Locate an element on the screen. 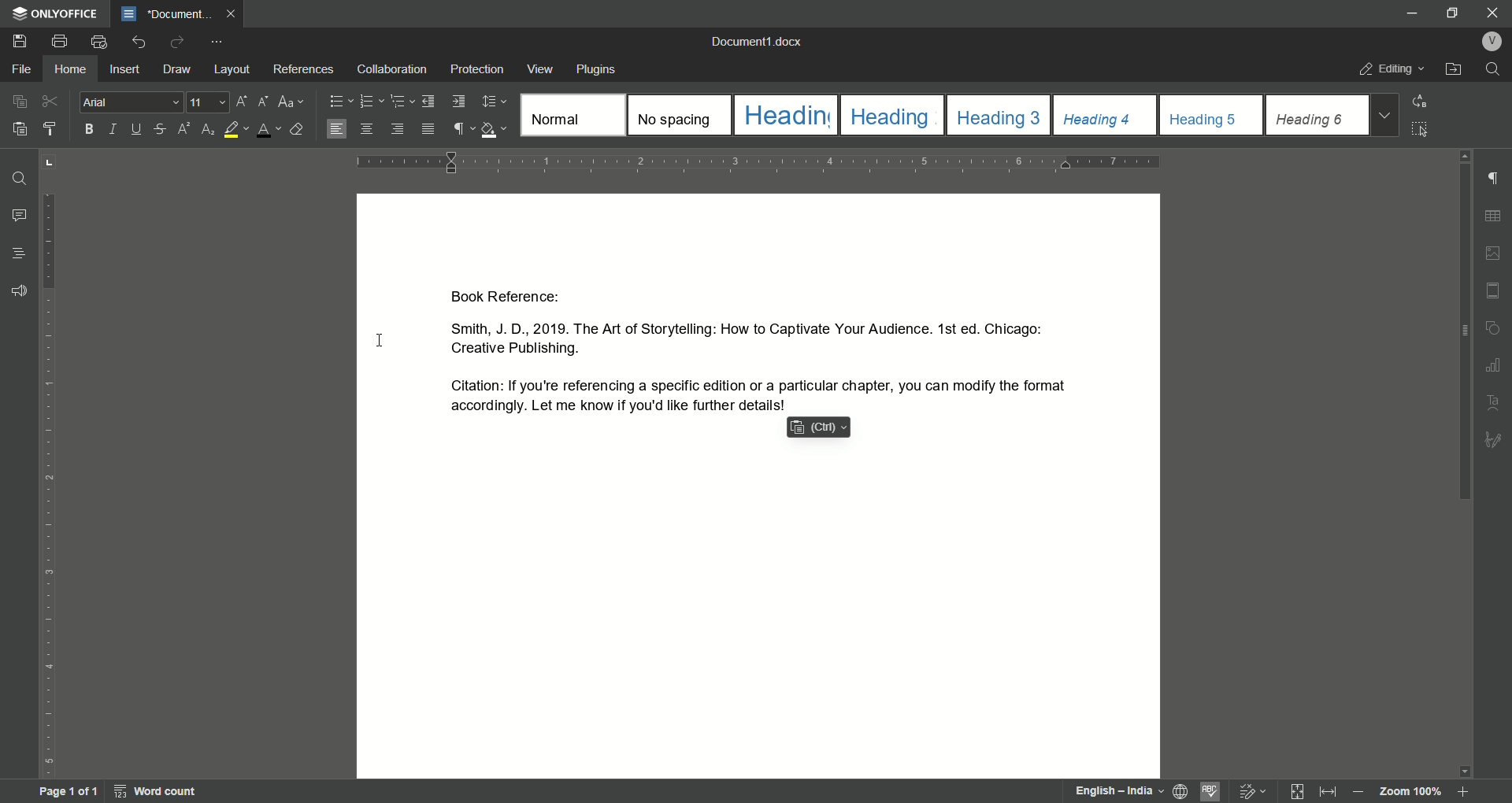 The height and width of the screenshot is (803, 1512). slide is located at coordinates (1492, 289).